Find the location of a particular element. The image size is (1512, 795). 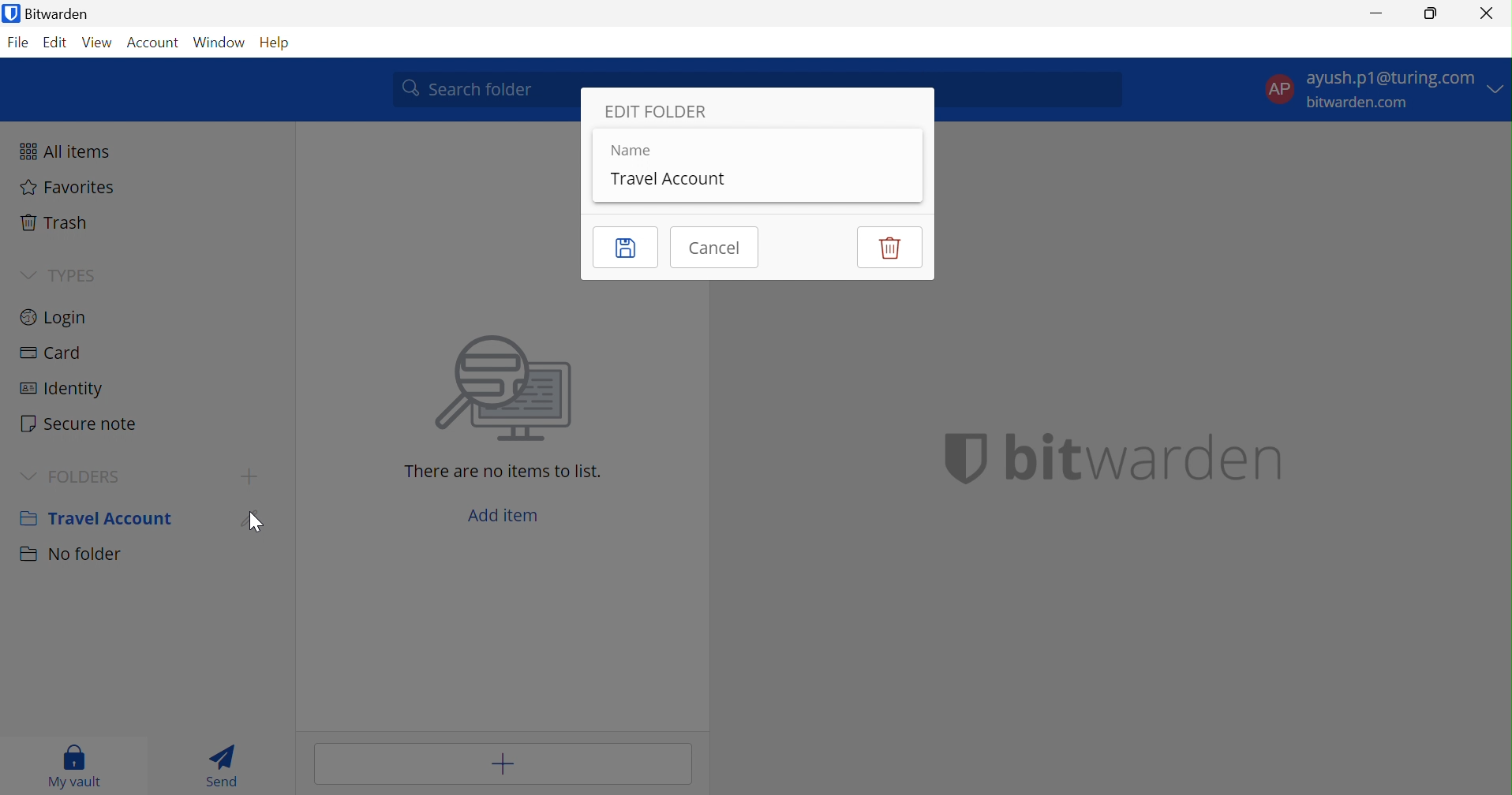

Add item is located at coordinates (506, 512).